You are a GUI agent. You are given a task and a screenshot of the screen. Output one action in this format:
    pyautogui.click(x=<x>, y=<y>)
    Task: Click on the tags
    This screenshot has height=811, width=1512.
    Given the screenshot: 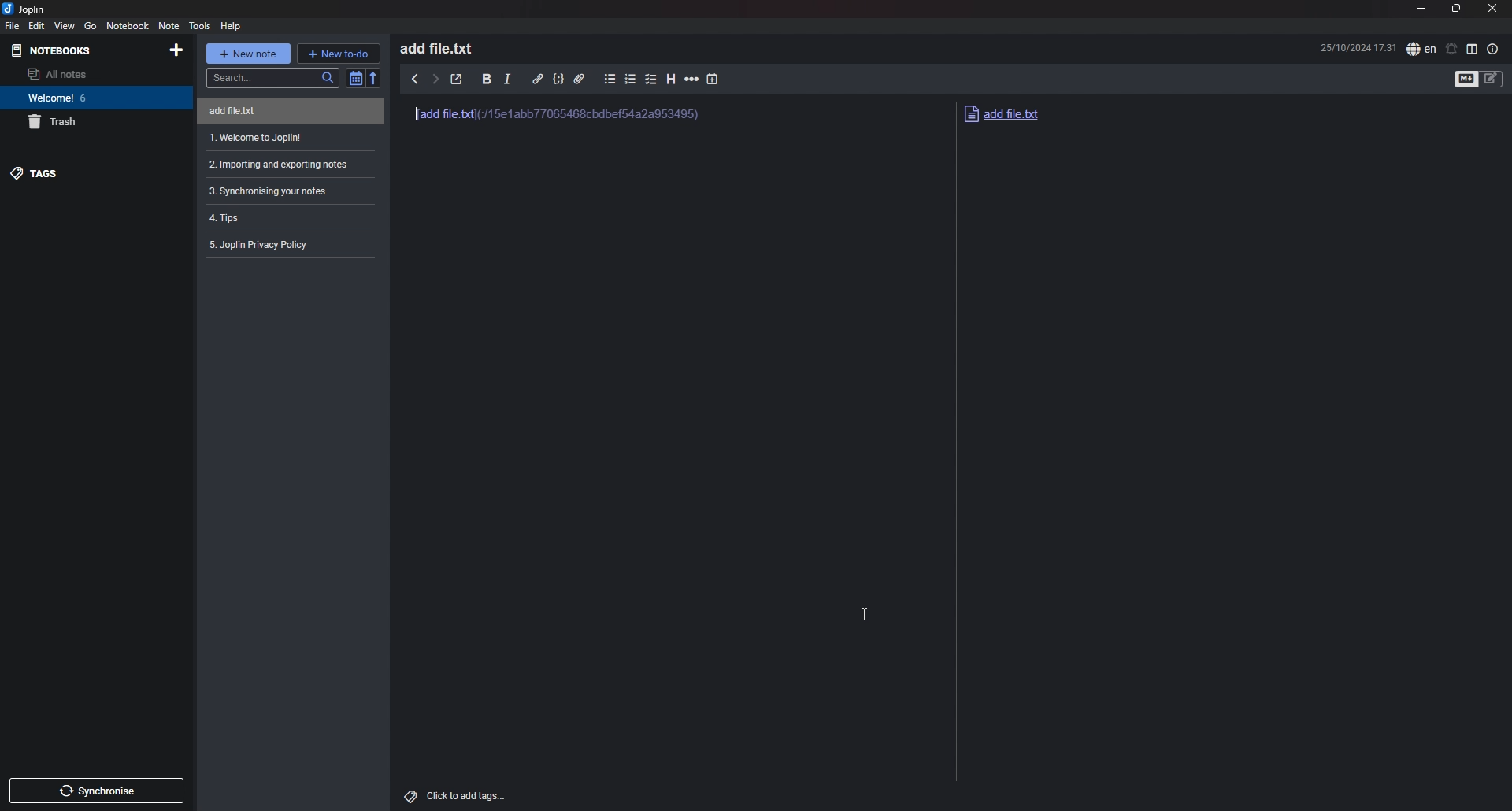 What is the action you would take?
    pyautogui.click(x=85, y=174)
    